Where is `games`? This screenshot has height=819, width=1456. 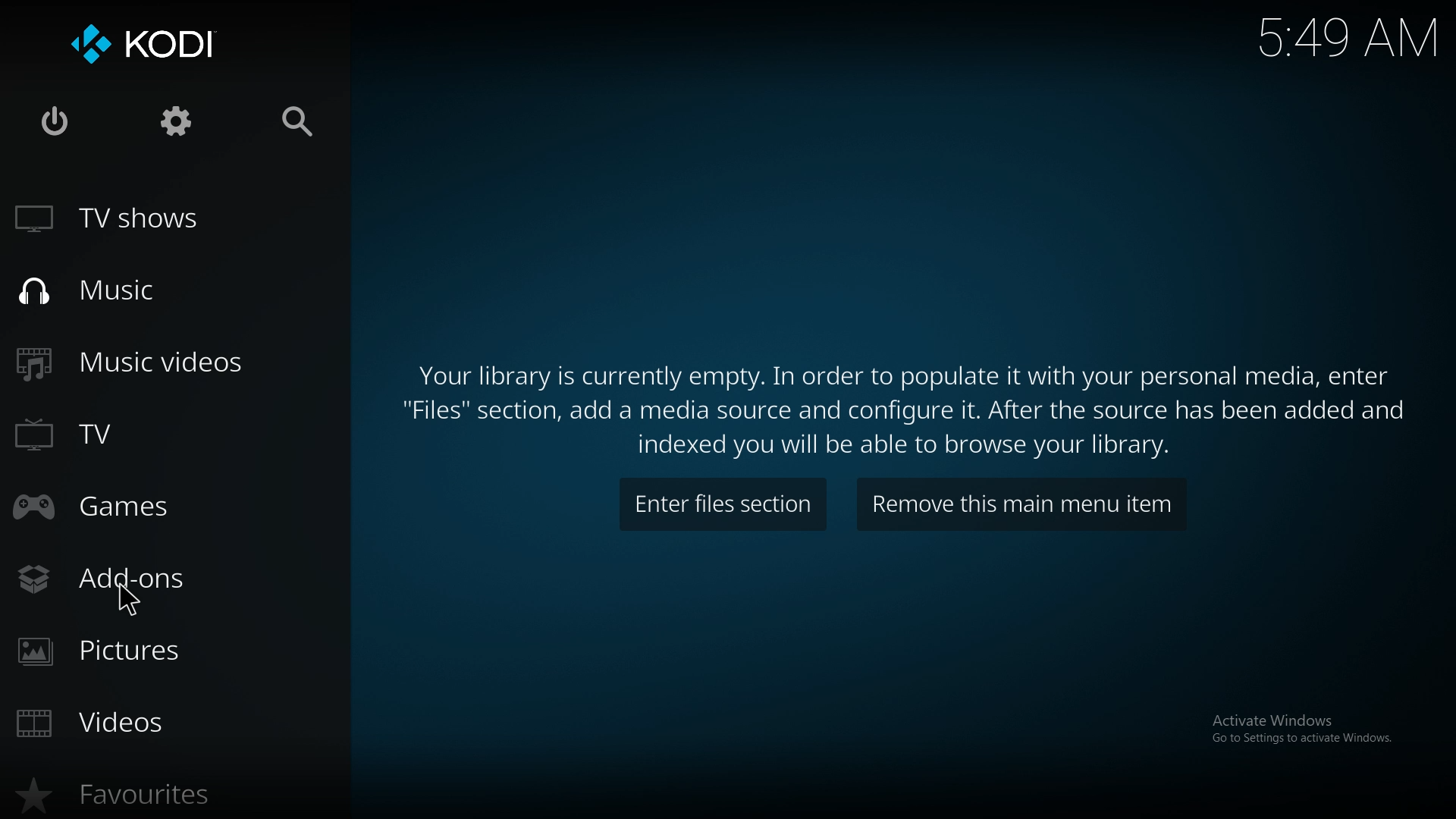 games is located at coordinates (109, 508).